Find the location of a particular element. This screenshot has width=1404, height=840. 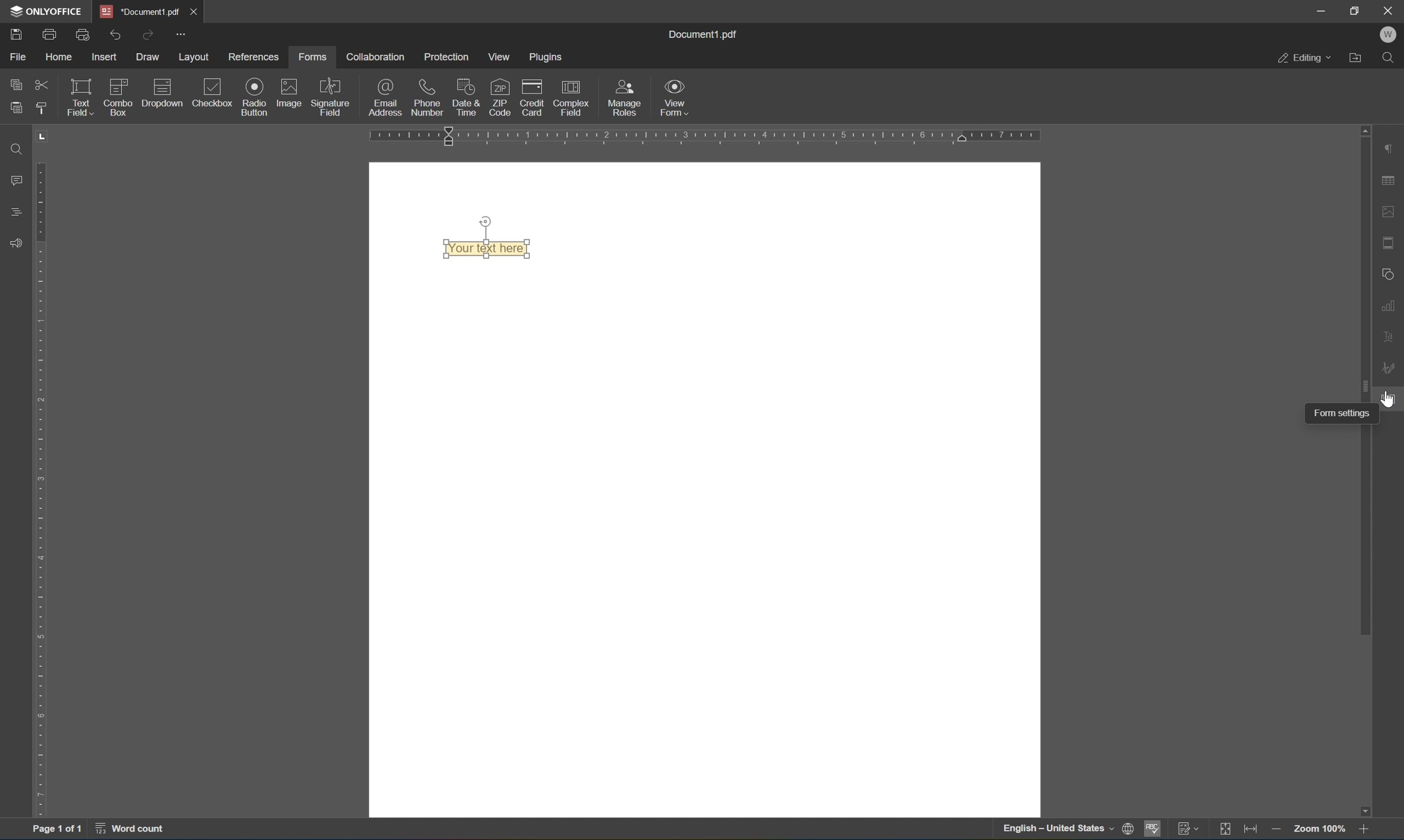

forms is located at coordinates (312, 57).